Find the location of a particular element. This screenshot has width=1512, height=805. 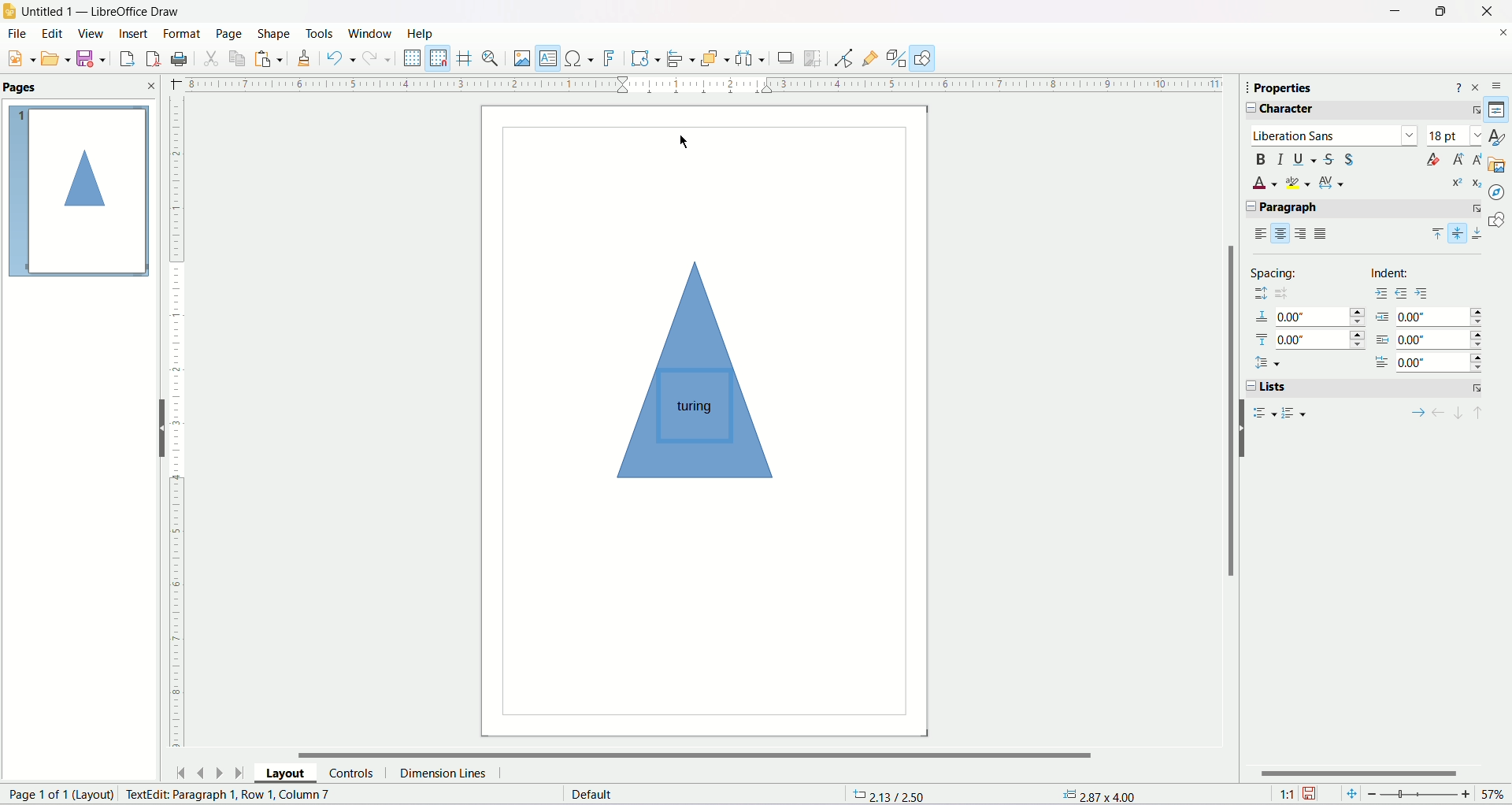

align top is located at coordinates (1436, 235).